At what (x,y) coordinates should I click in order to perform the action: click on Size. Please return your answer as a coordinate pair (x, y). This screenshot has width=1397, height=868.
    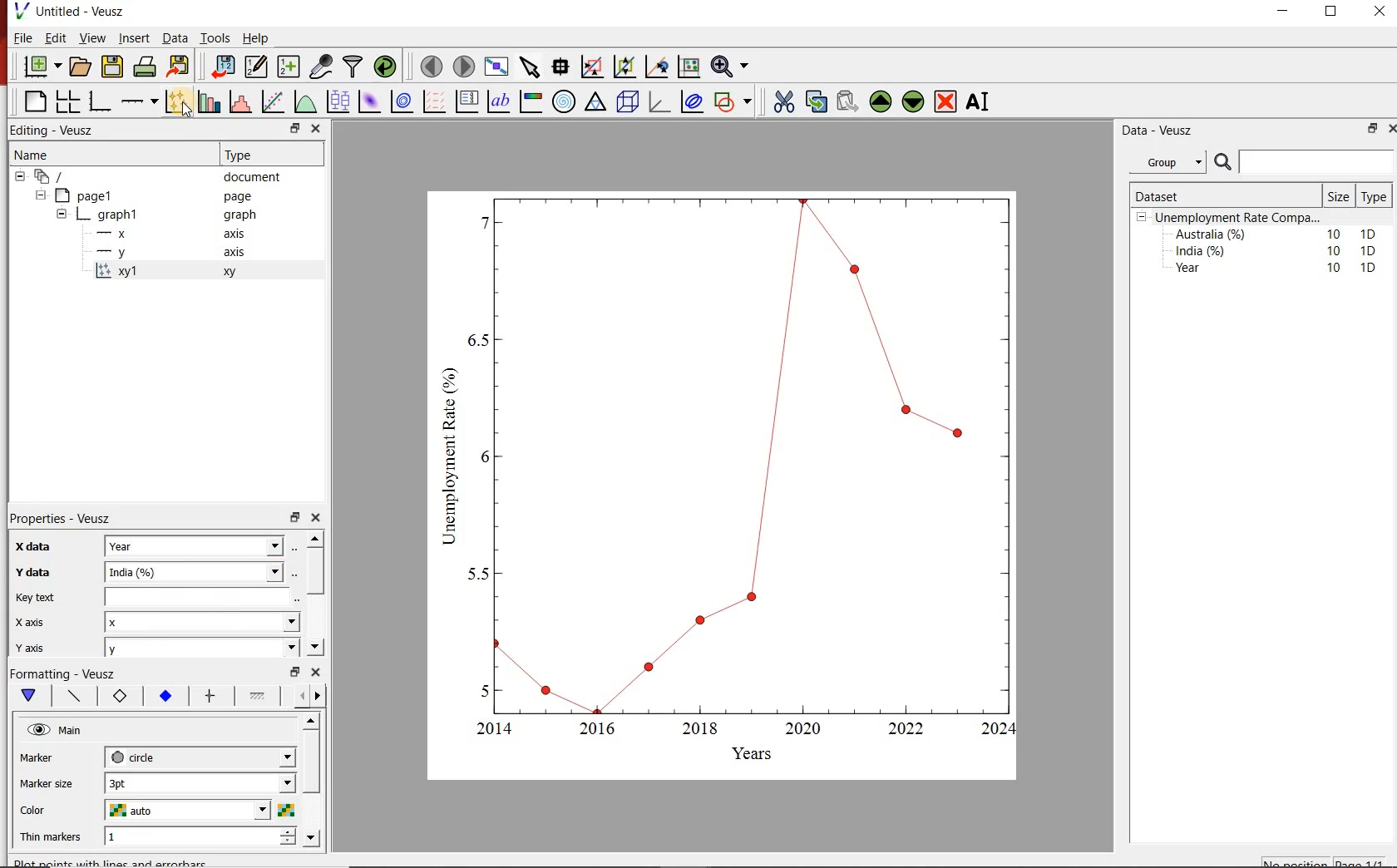
    Looking at the image, I should click on (1340, 196).